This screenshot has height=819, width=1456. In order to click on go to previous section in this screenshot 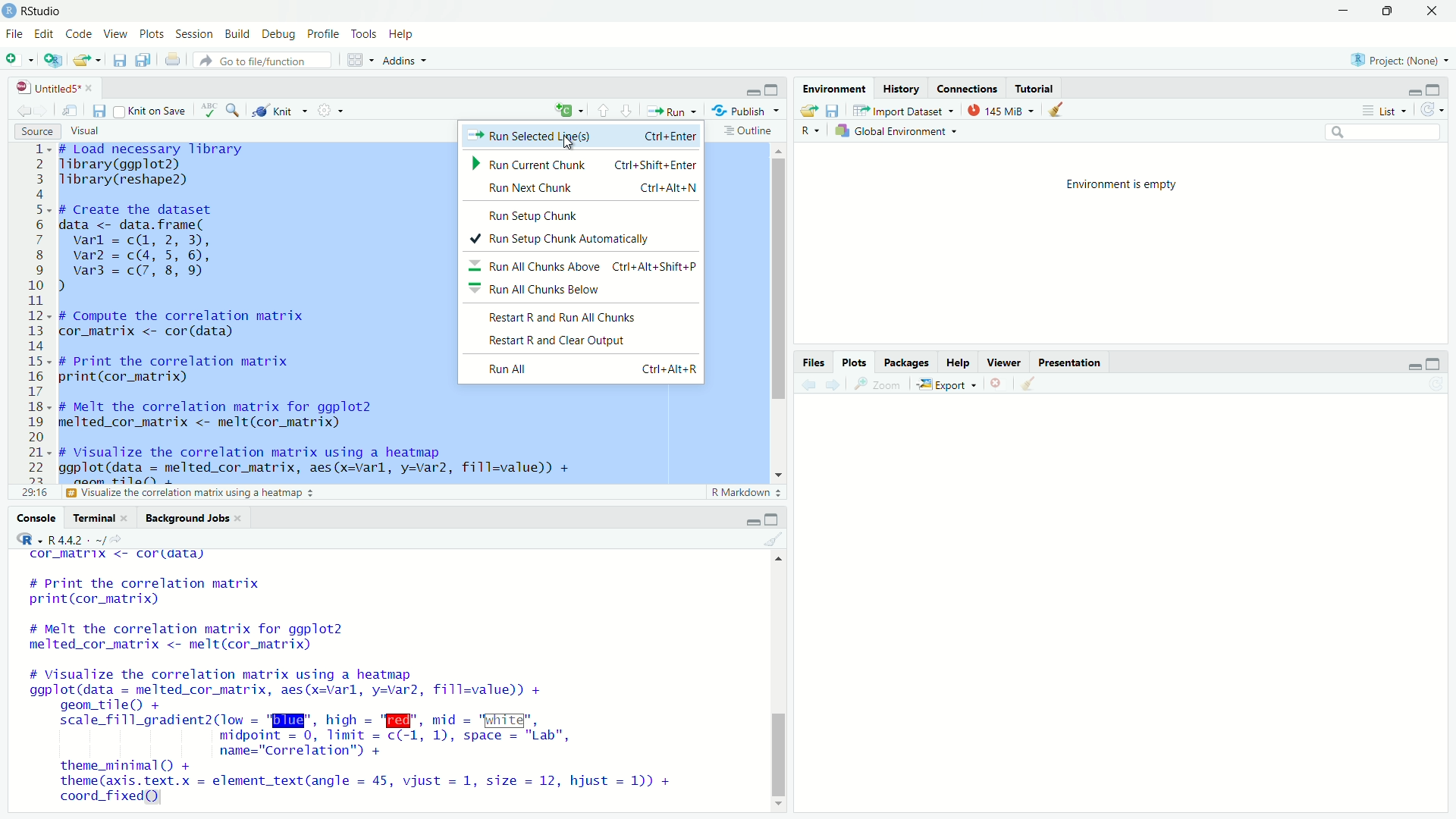, I will do `click(602, 108)`.